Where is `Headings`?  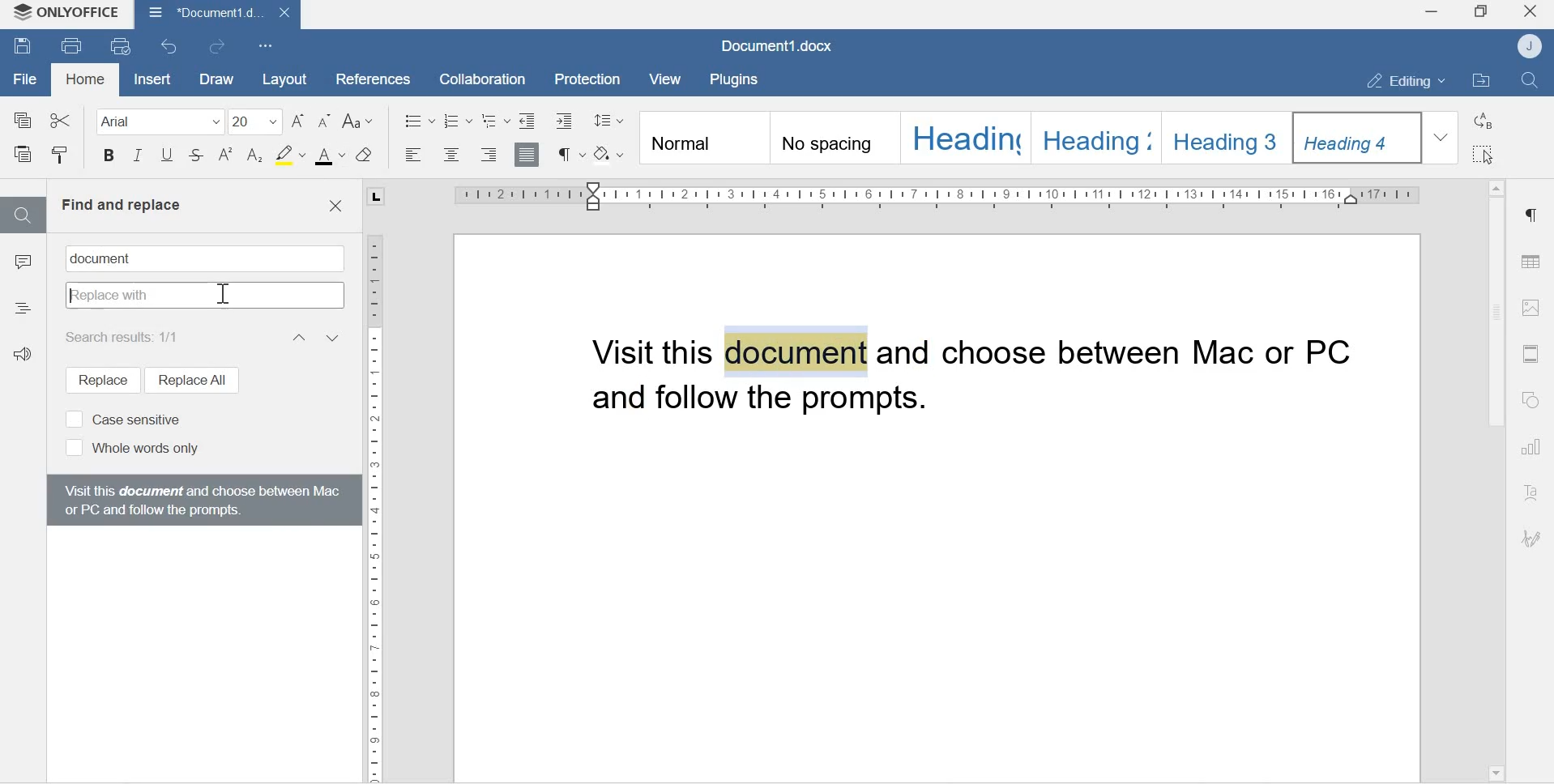
Headings is located at coordinates (23, 306).